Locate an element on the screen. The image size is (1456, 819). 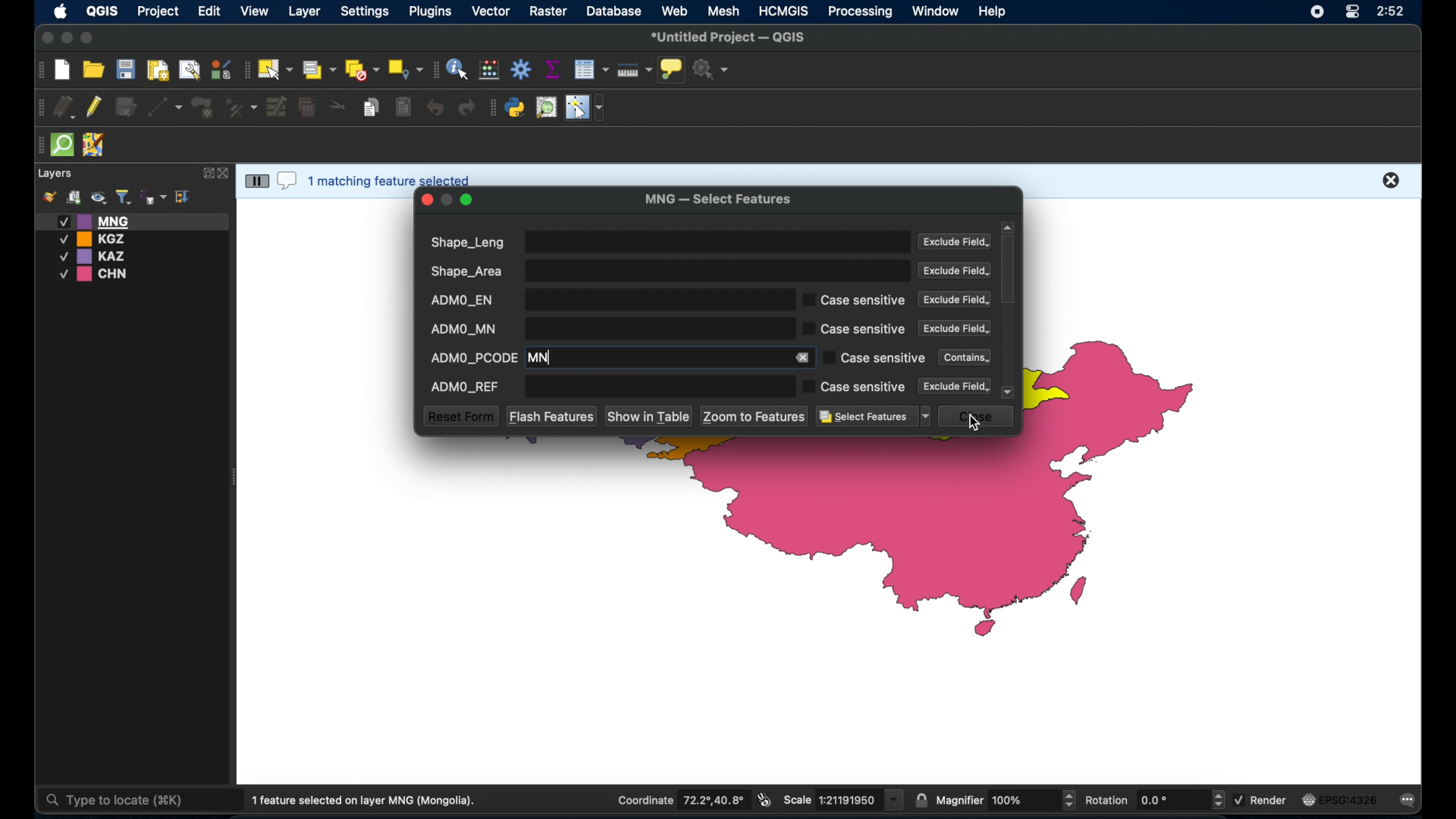
open field calculator is located at coordinates (491, 69).